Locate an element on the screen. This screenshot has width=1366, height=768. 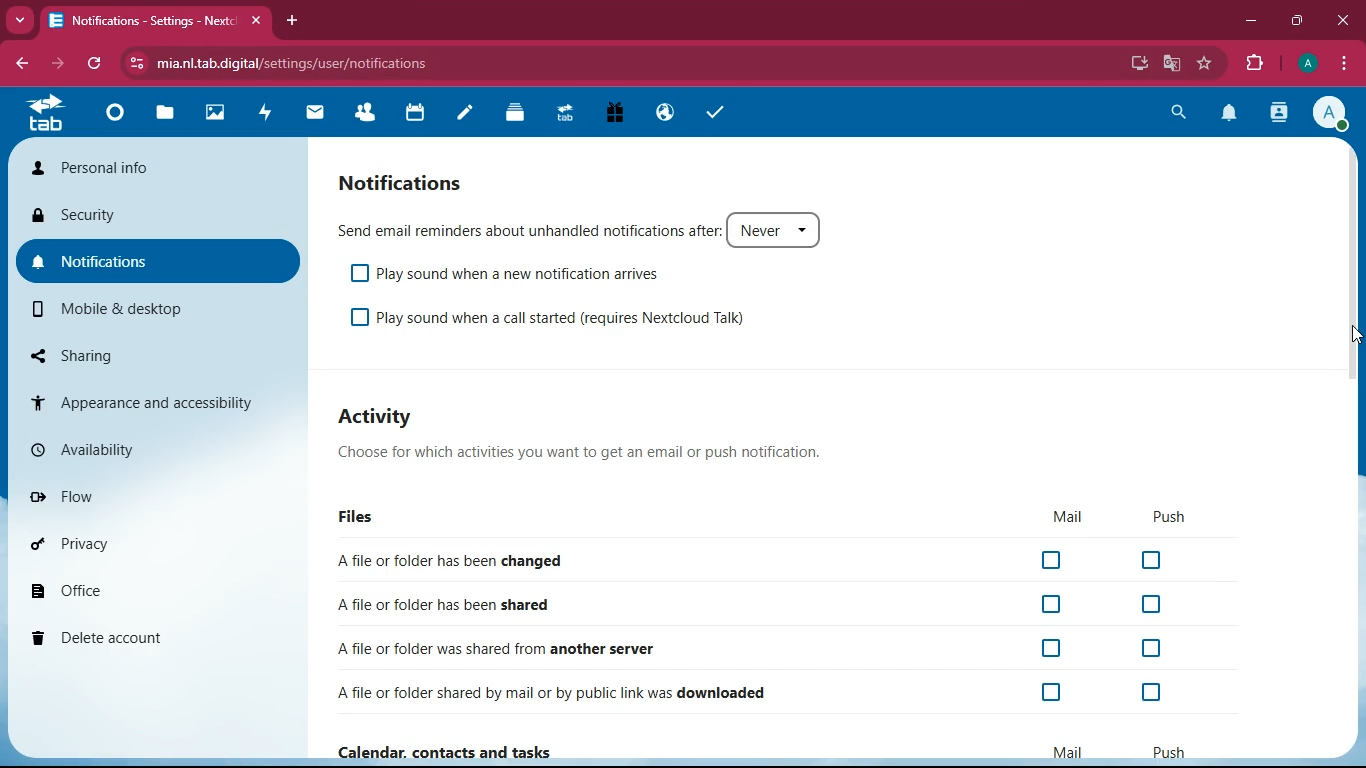
flow is located at coordinates (152, 494).